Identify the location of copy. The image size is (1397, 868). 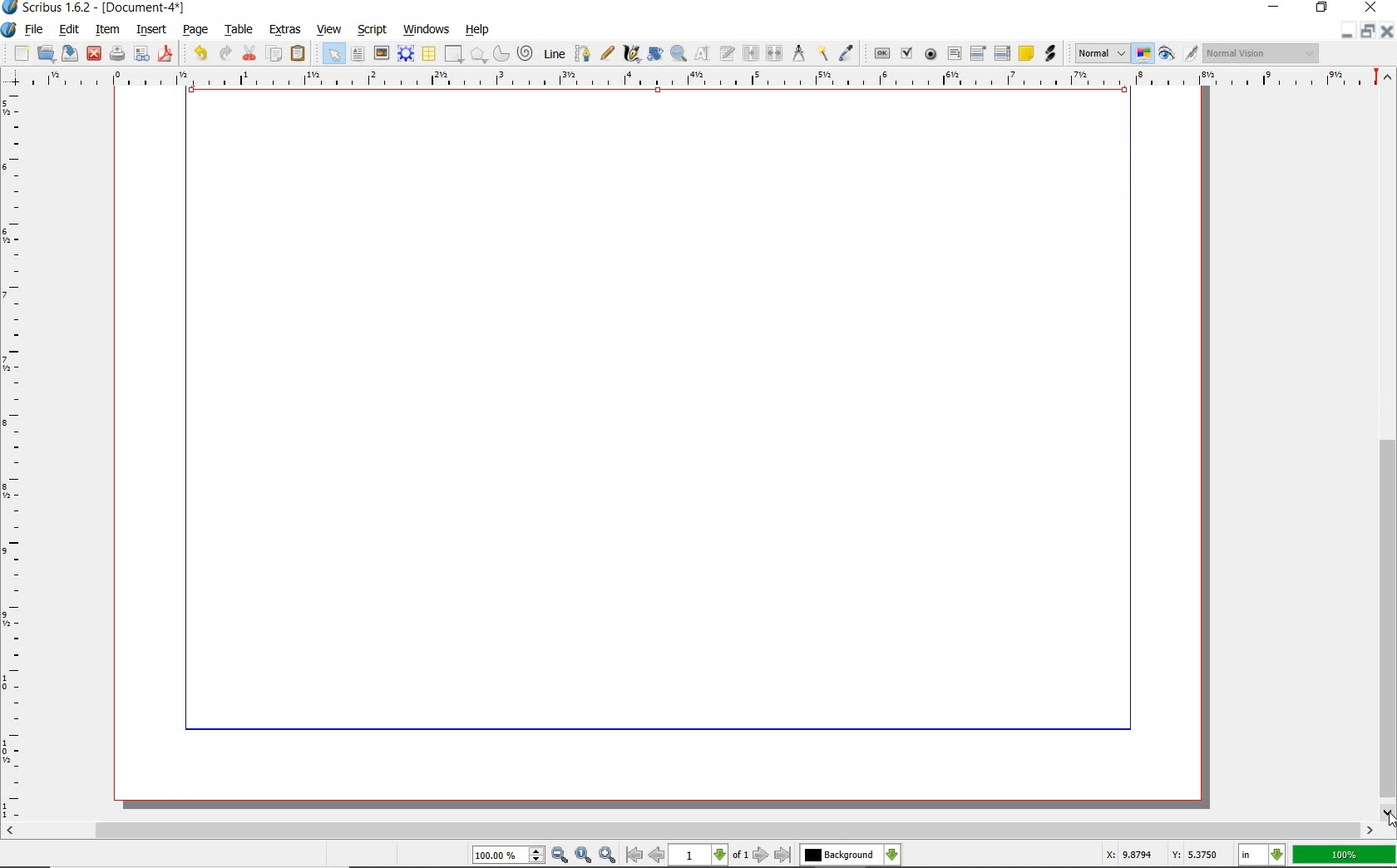
(275, 54).